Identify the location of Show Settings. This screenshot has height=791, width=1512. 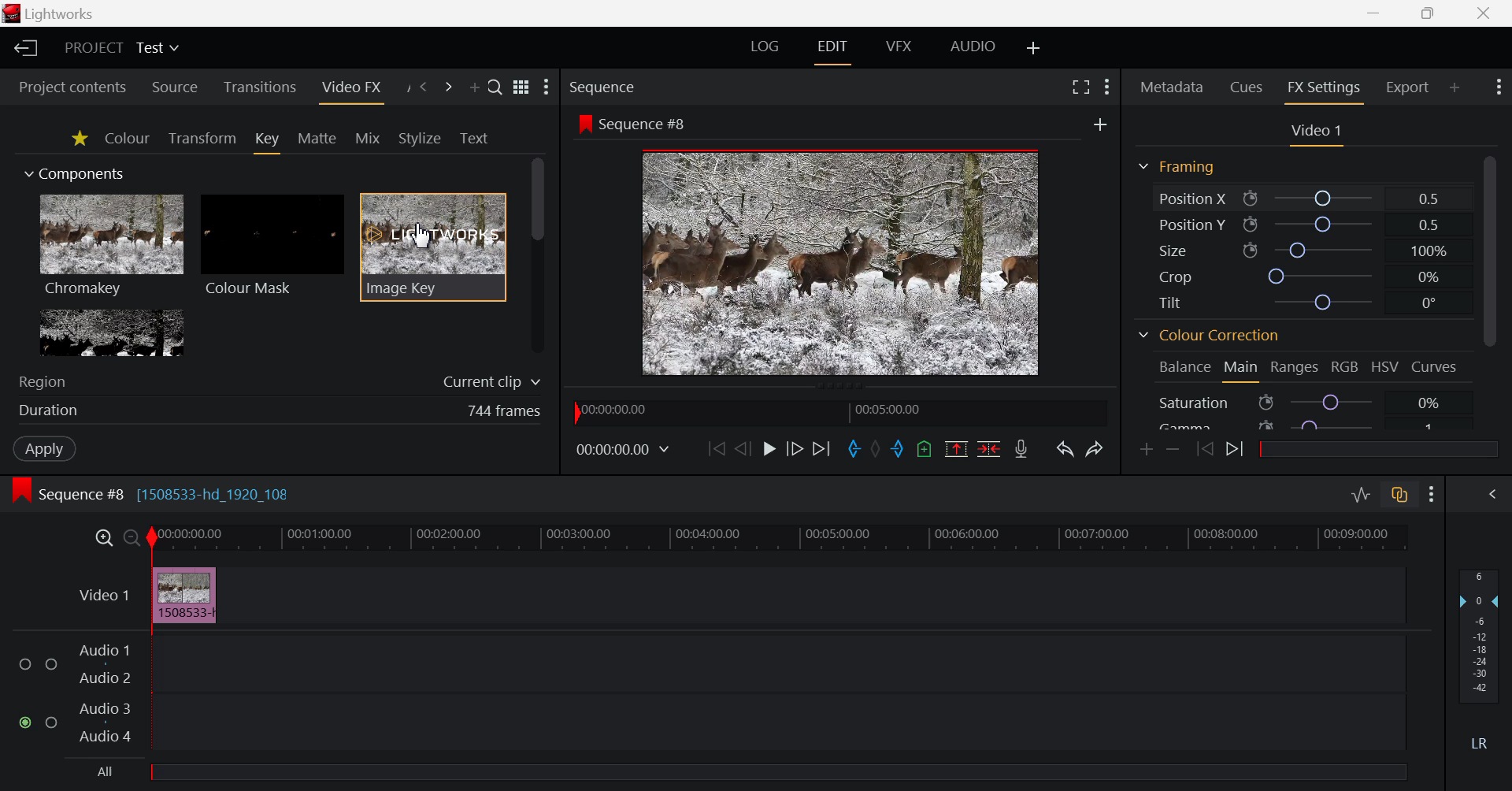
(1498, 87).